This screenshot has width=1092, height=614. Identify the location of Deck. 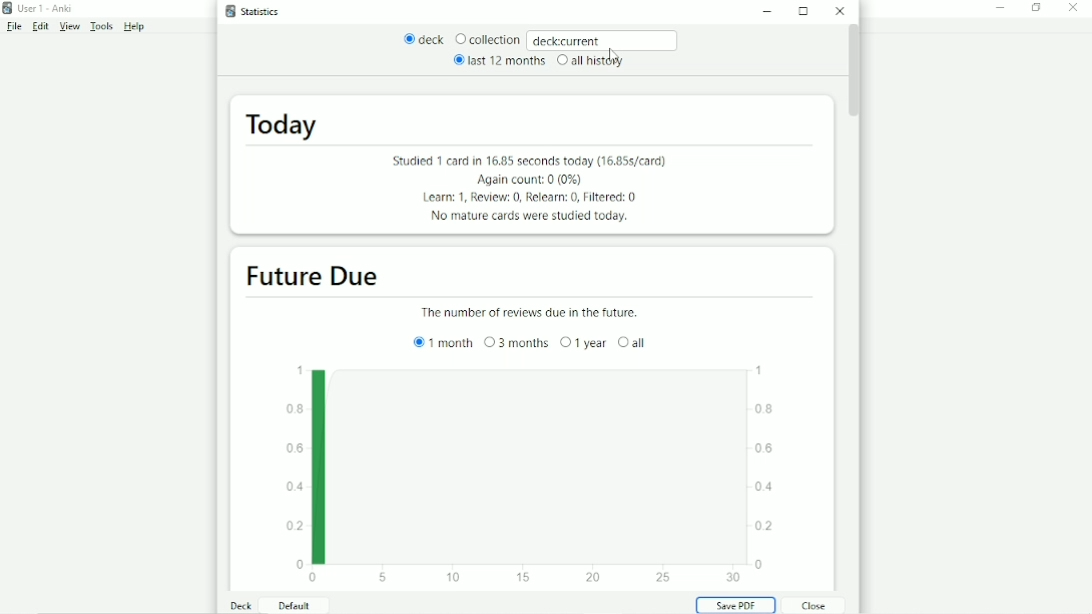
(238, 605).